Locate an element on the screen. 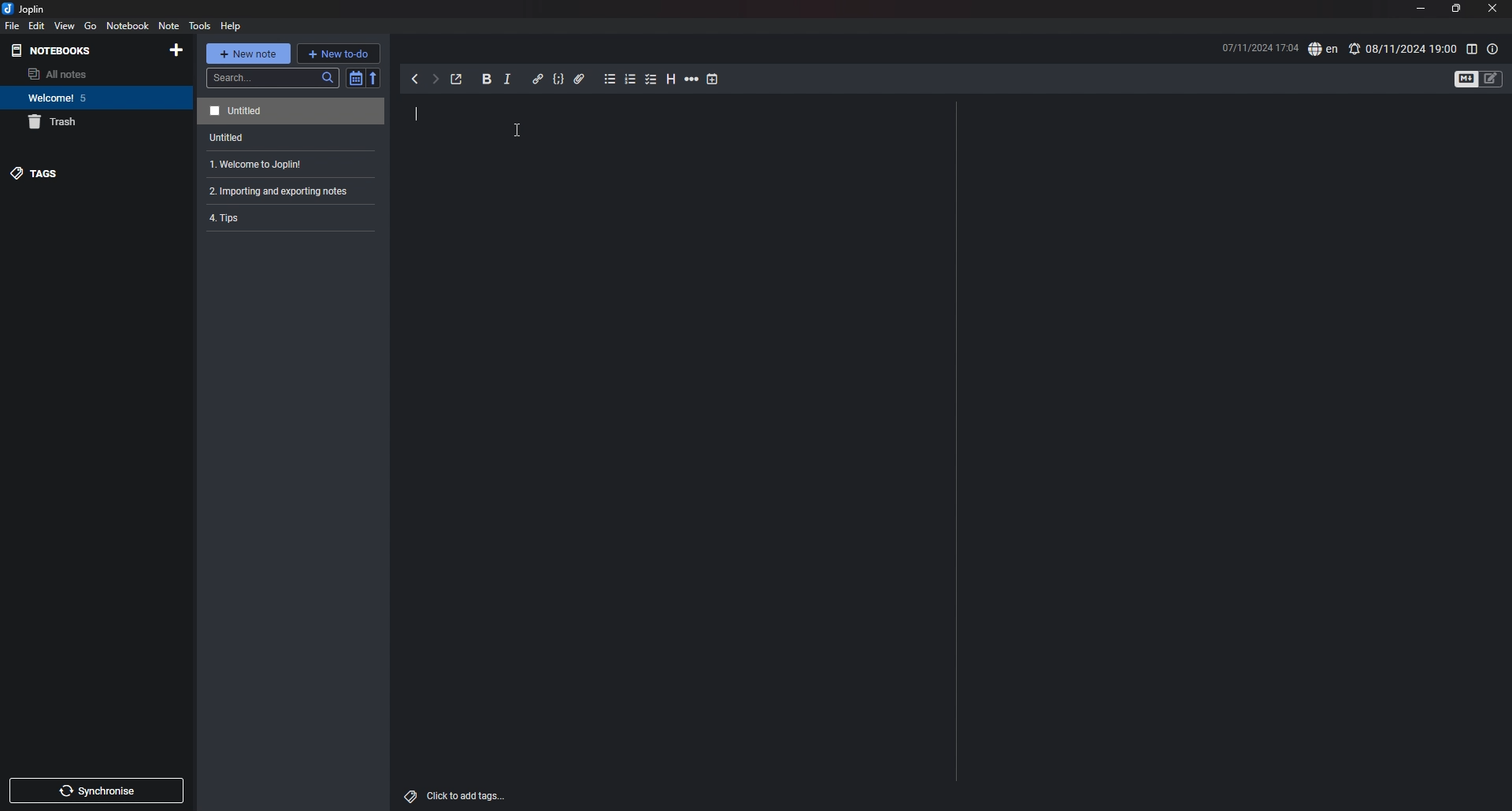  new todo is located at coordinates (339, 54).